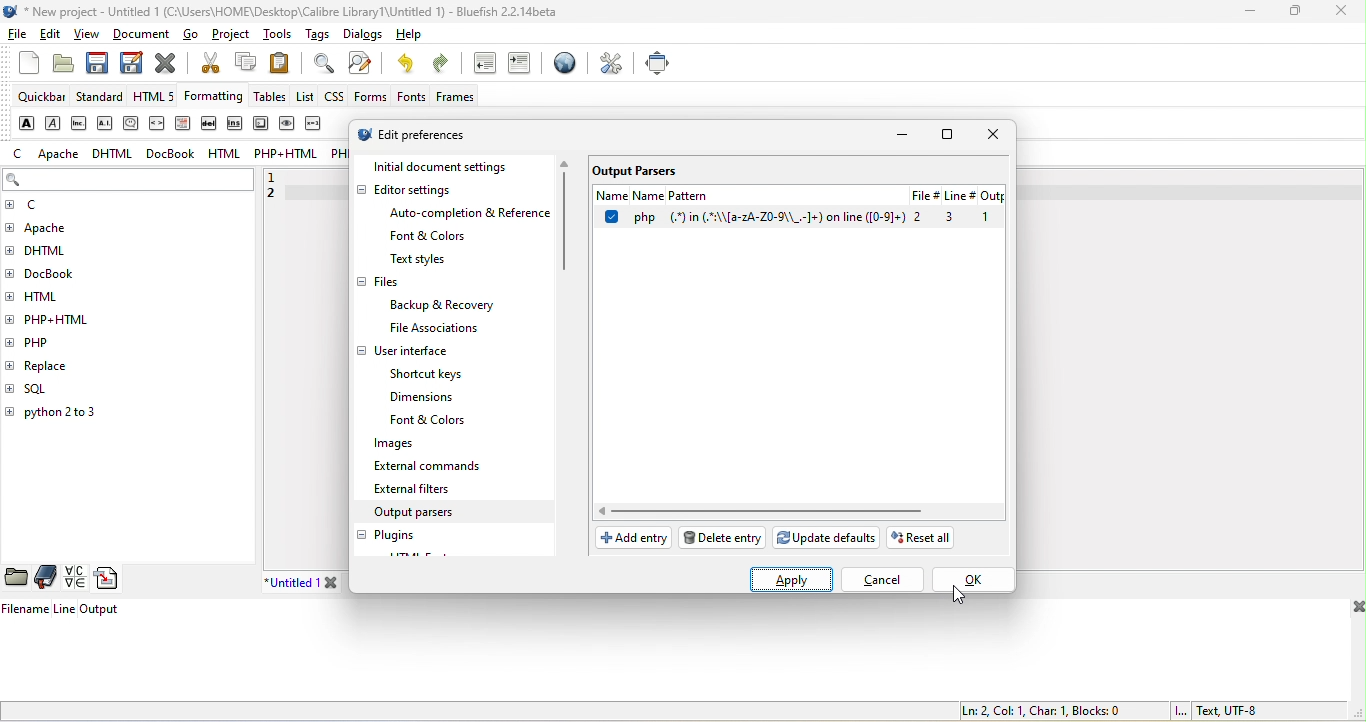 The image size is (1366, 722). I want to click on unindent, so click(482, 65).